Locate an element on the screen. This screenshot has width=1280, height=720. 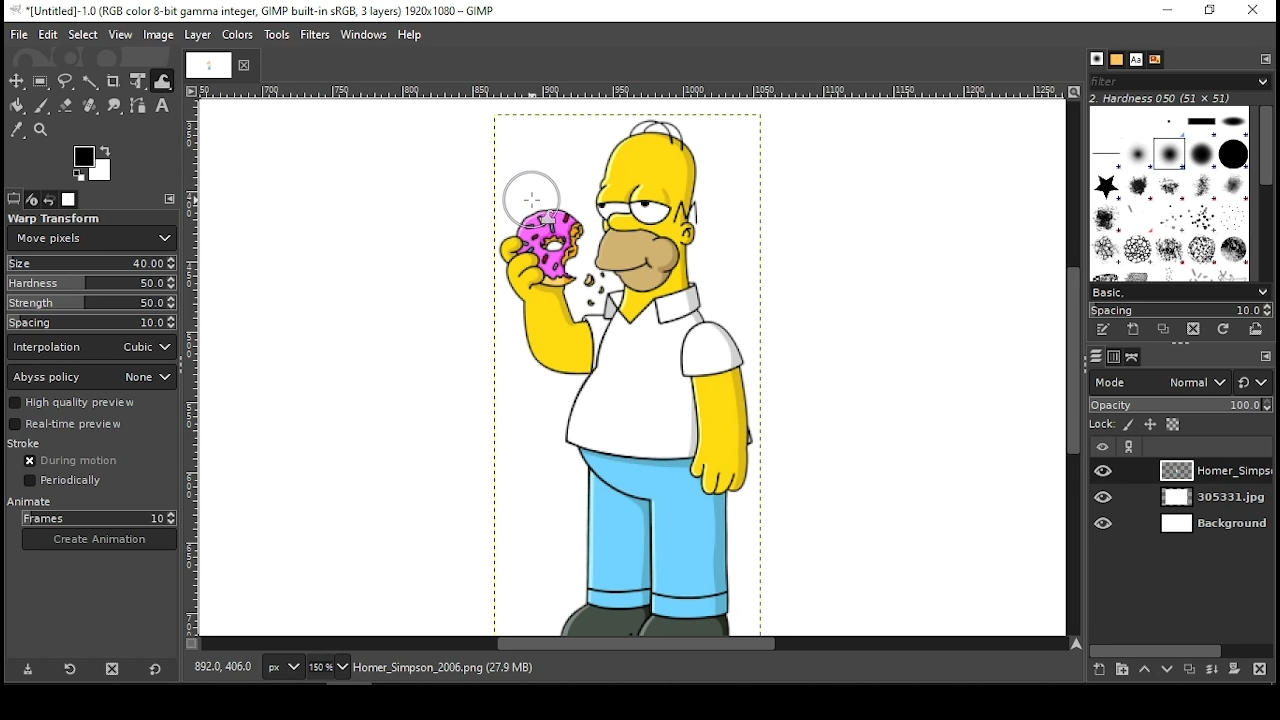
basic is located at coordinates (1181, 293).